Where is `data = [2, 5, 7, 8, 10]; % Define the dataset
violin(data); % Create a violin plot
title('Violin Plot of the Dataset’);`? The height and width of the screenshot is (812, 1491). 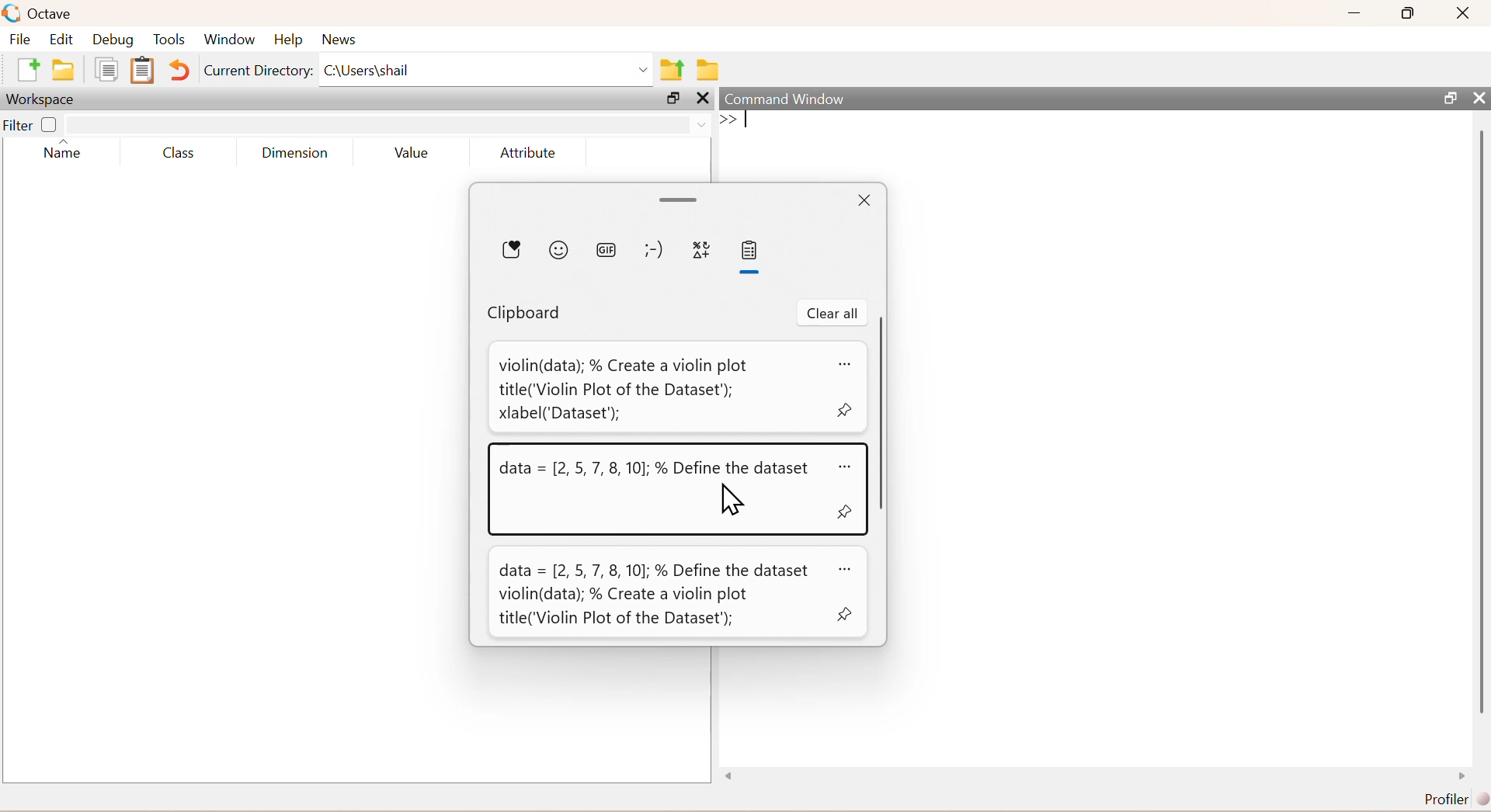 data = [2, 5, 7, 8, 10]; % Define the dataset
violin(data); % Create a violin plot
title('Violin Plot of the Dataset’); is located at coordinates (655, 595).